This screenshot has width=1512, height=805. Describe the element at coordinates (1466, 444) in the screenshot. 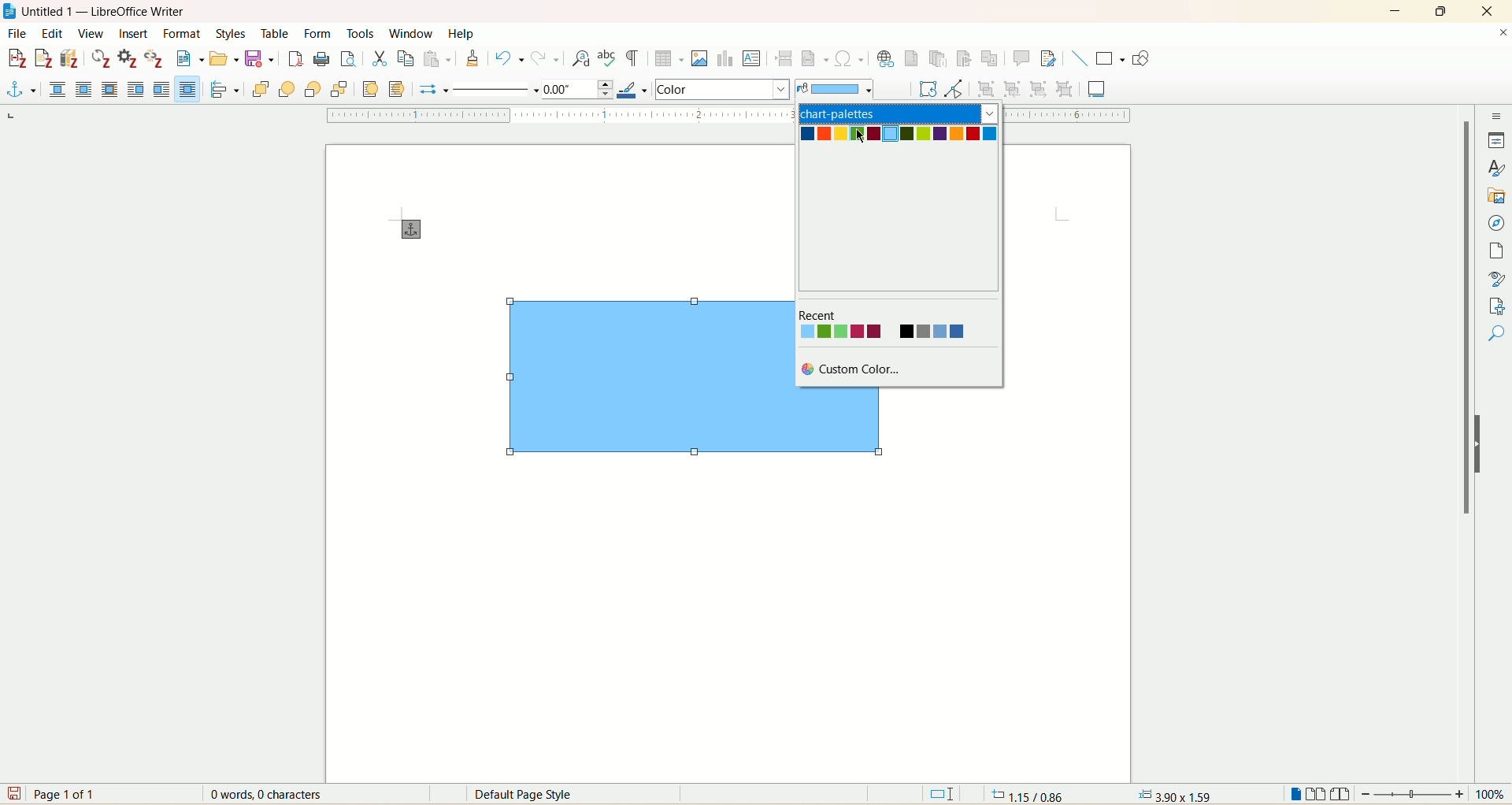

I see `vertical scroll bar` at that location.